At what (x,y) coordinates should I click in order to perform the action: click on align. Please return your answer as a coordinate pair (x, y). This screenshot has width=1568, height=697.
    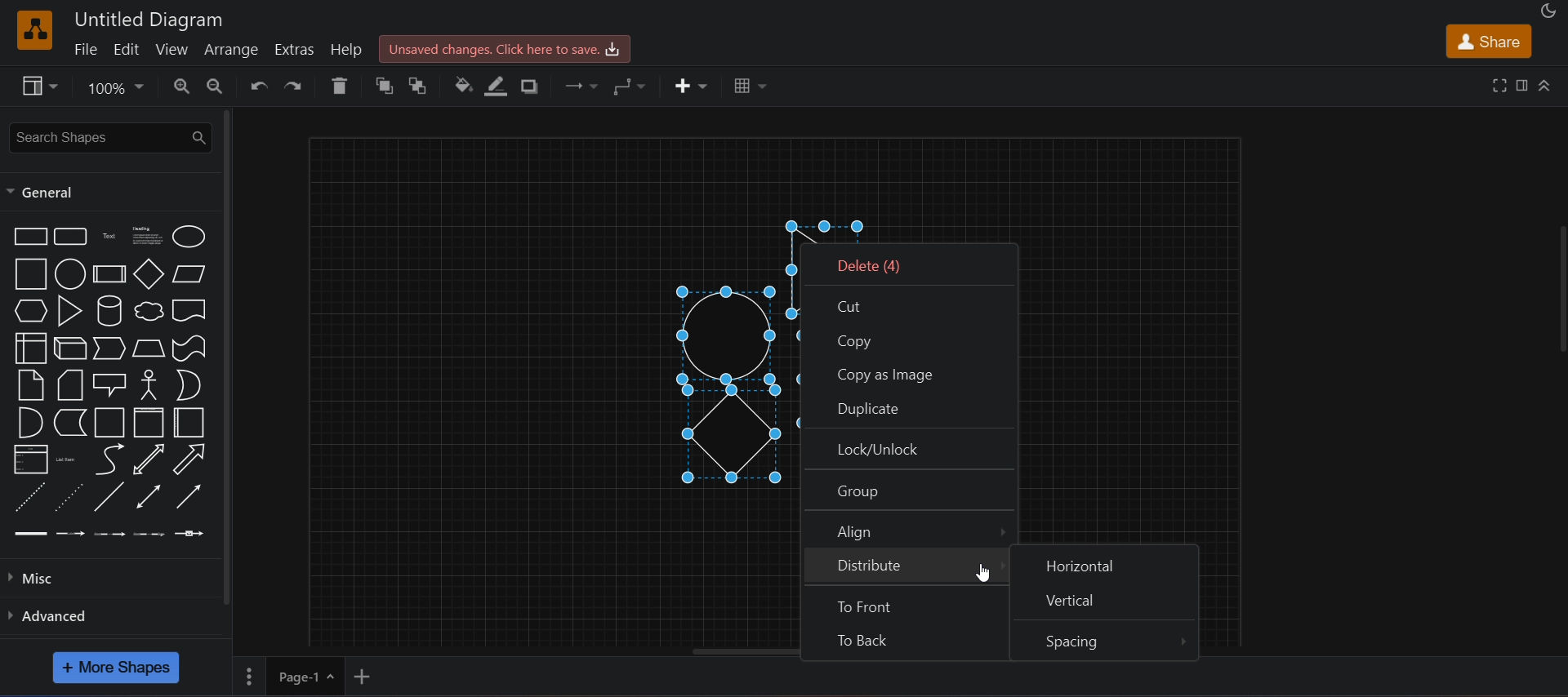
    Looking at the image, I should click on (911, 529).